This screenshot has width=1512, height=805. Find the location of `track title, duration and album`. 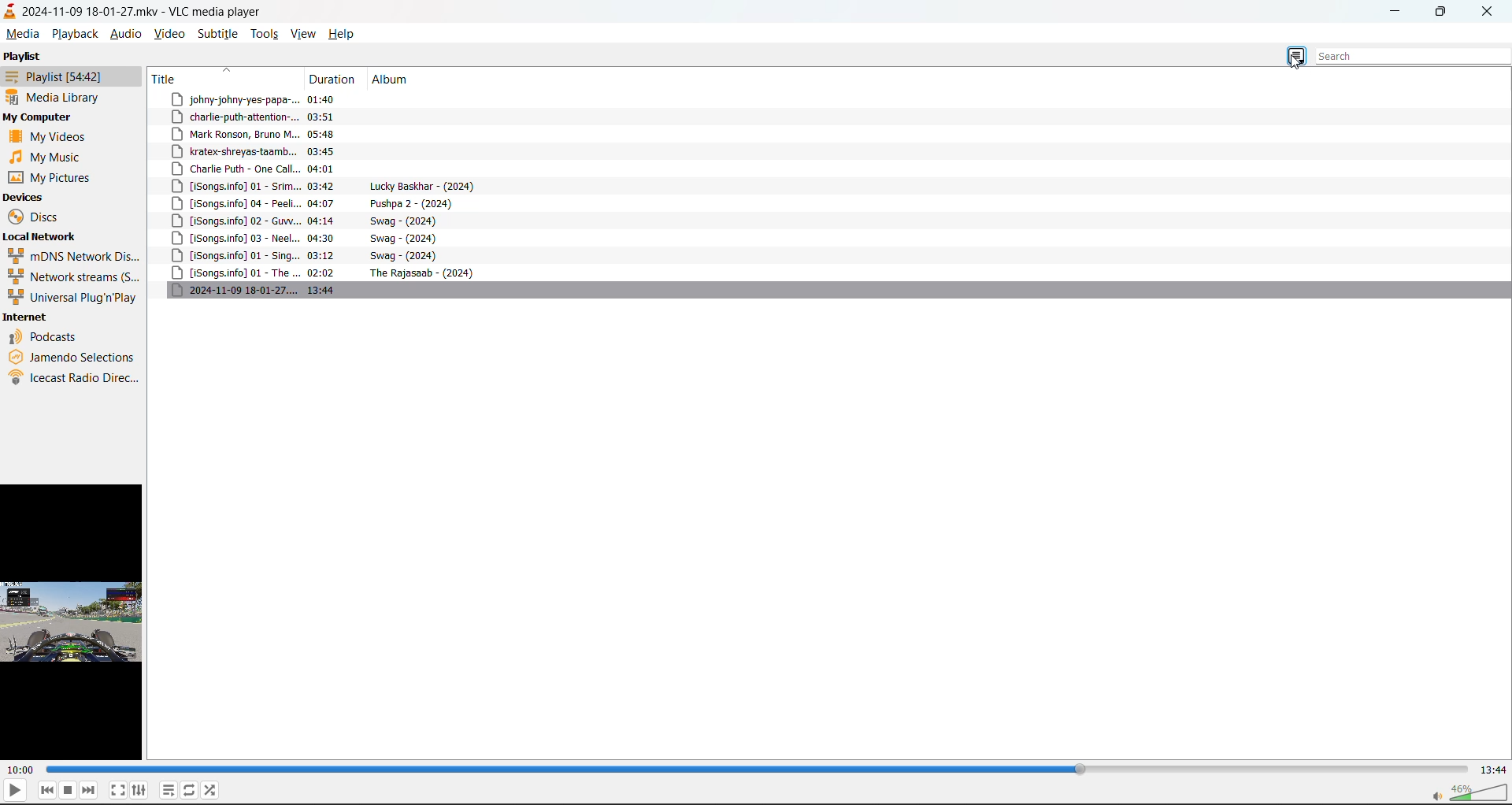

track title, duration and album is located at coordinates (339, 274).